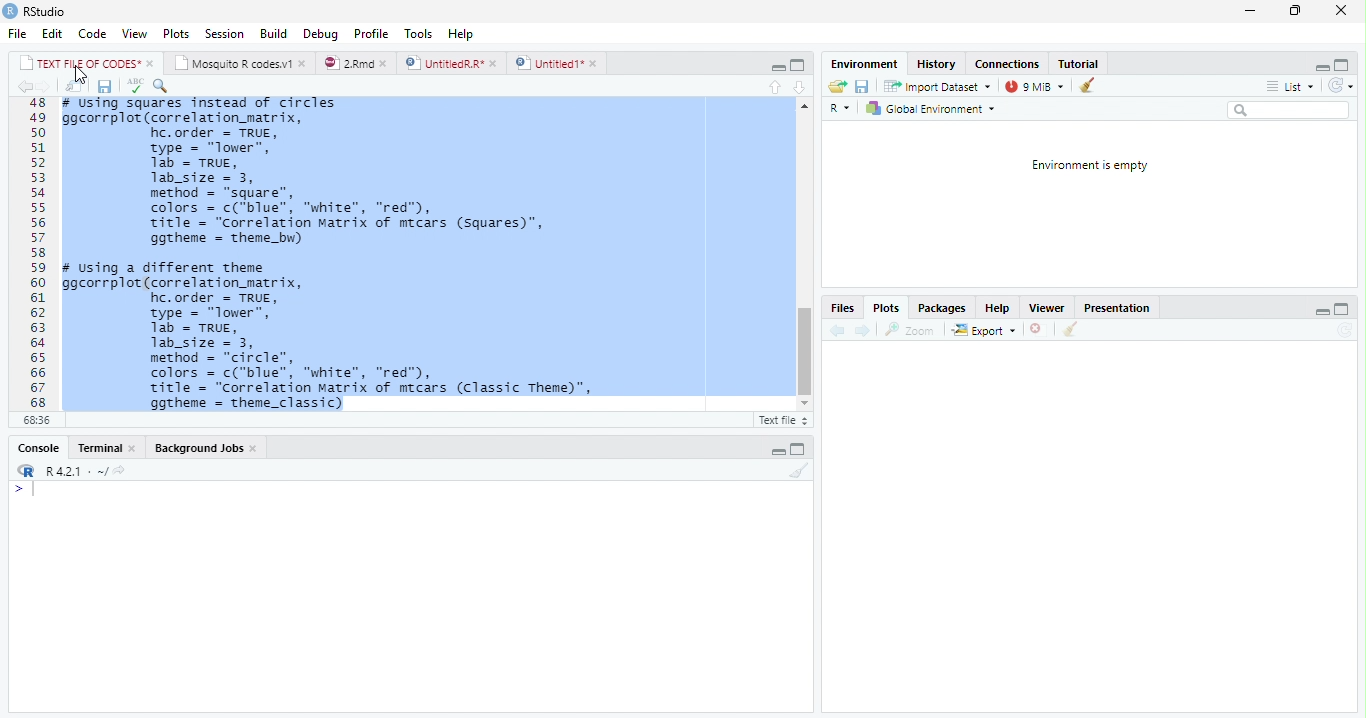 This screenshot has width=1366, height=718. I want to click on Files, so click(842, 307).